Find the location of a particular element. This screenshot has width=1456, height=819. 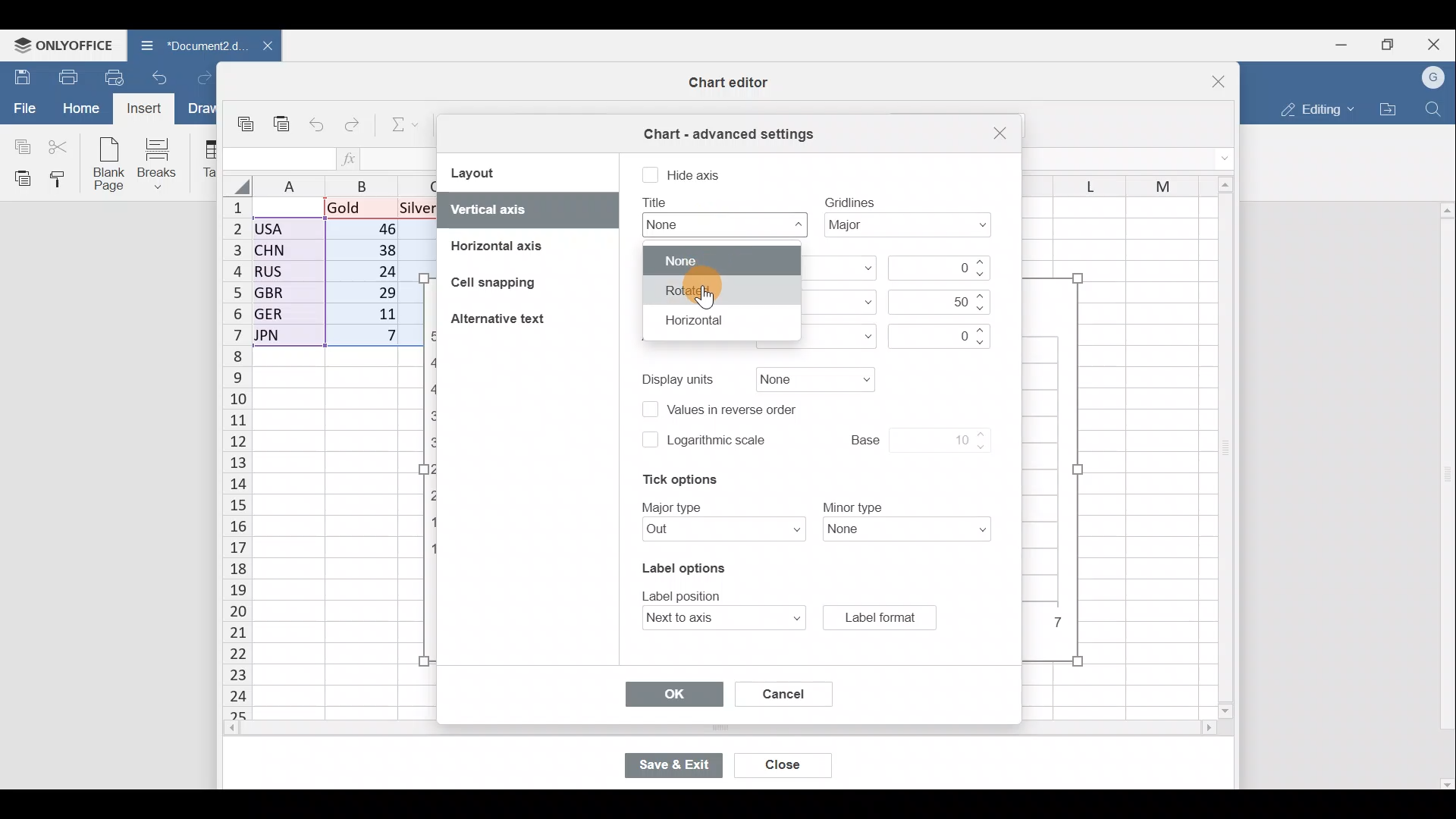

Title is located at coordinates (714, 224).